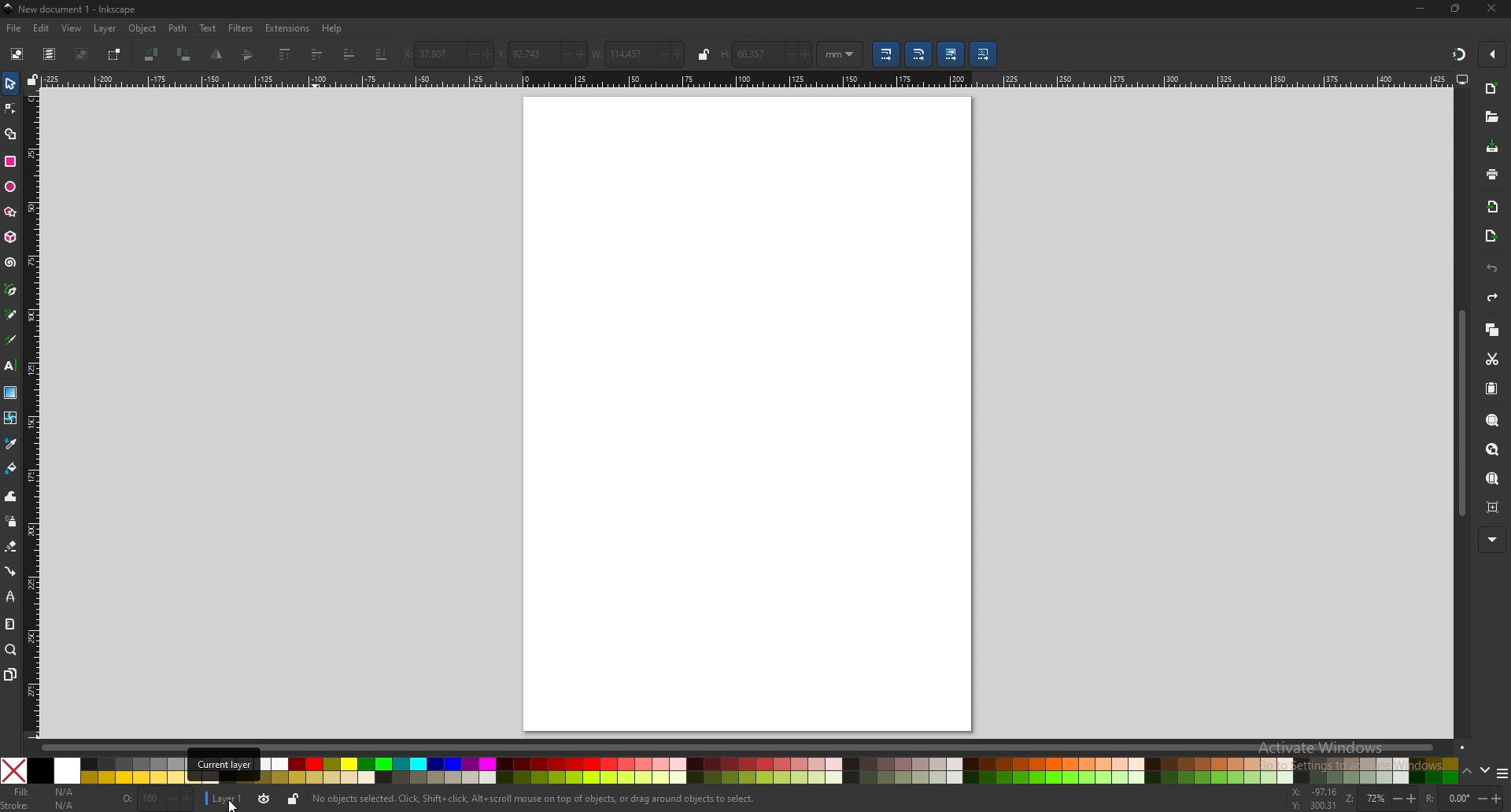 The height and width of the screenshot is (812, 1511). What do you see at coordinates (1491, 478) in the screenshot?
I see `zoom page` at bounding box center [1491, 478].